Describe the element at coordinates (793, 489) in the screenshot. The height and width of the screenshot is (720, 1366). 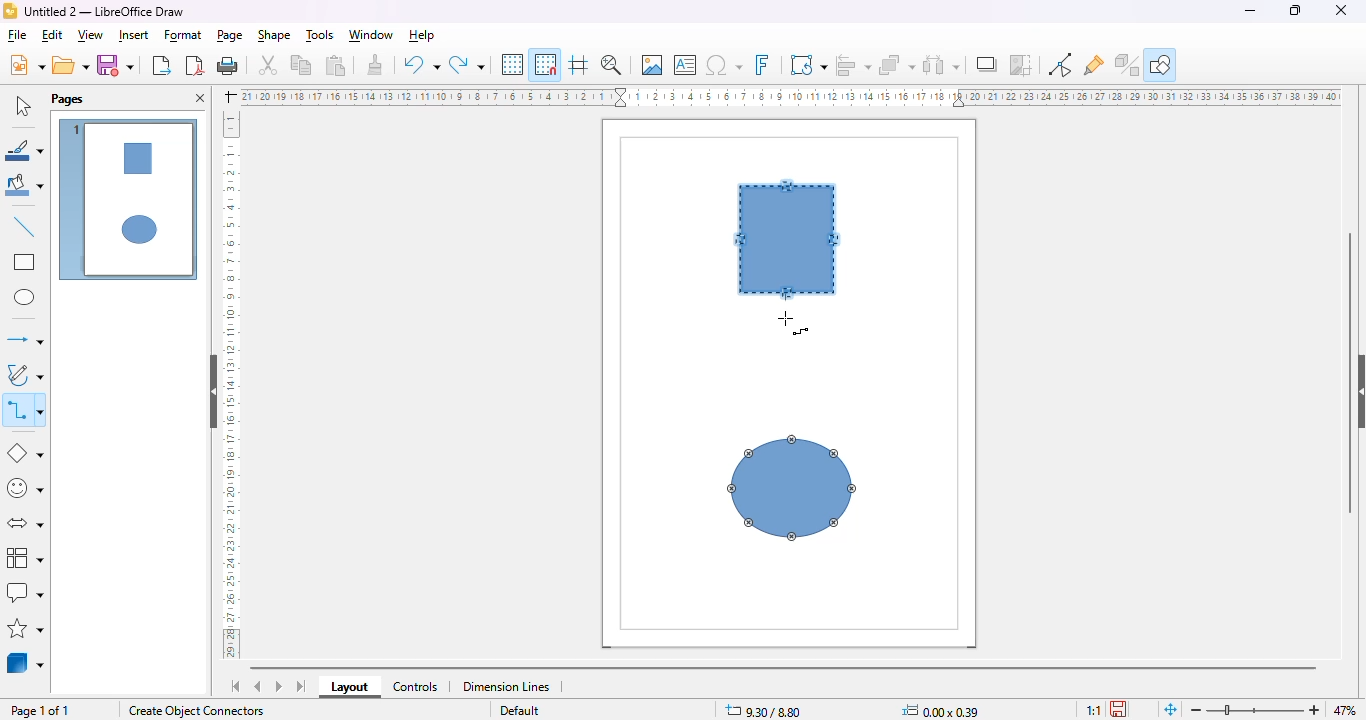
I see `shape 2` at that location.